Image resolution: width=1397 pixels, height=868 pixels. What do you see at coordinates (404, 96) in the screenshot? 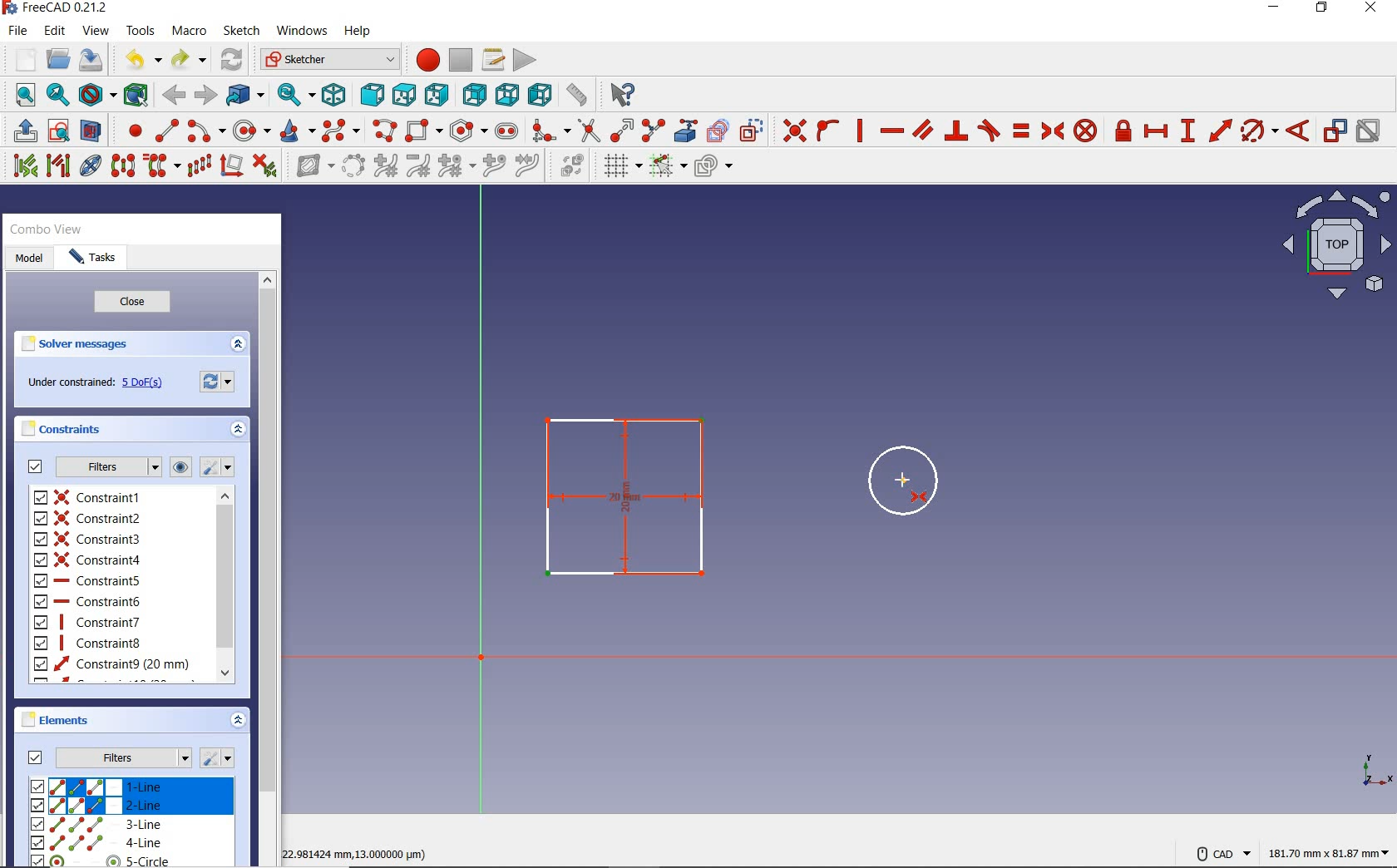
I see `top` at bounding box center [404, 96].